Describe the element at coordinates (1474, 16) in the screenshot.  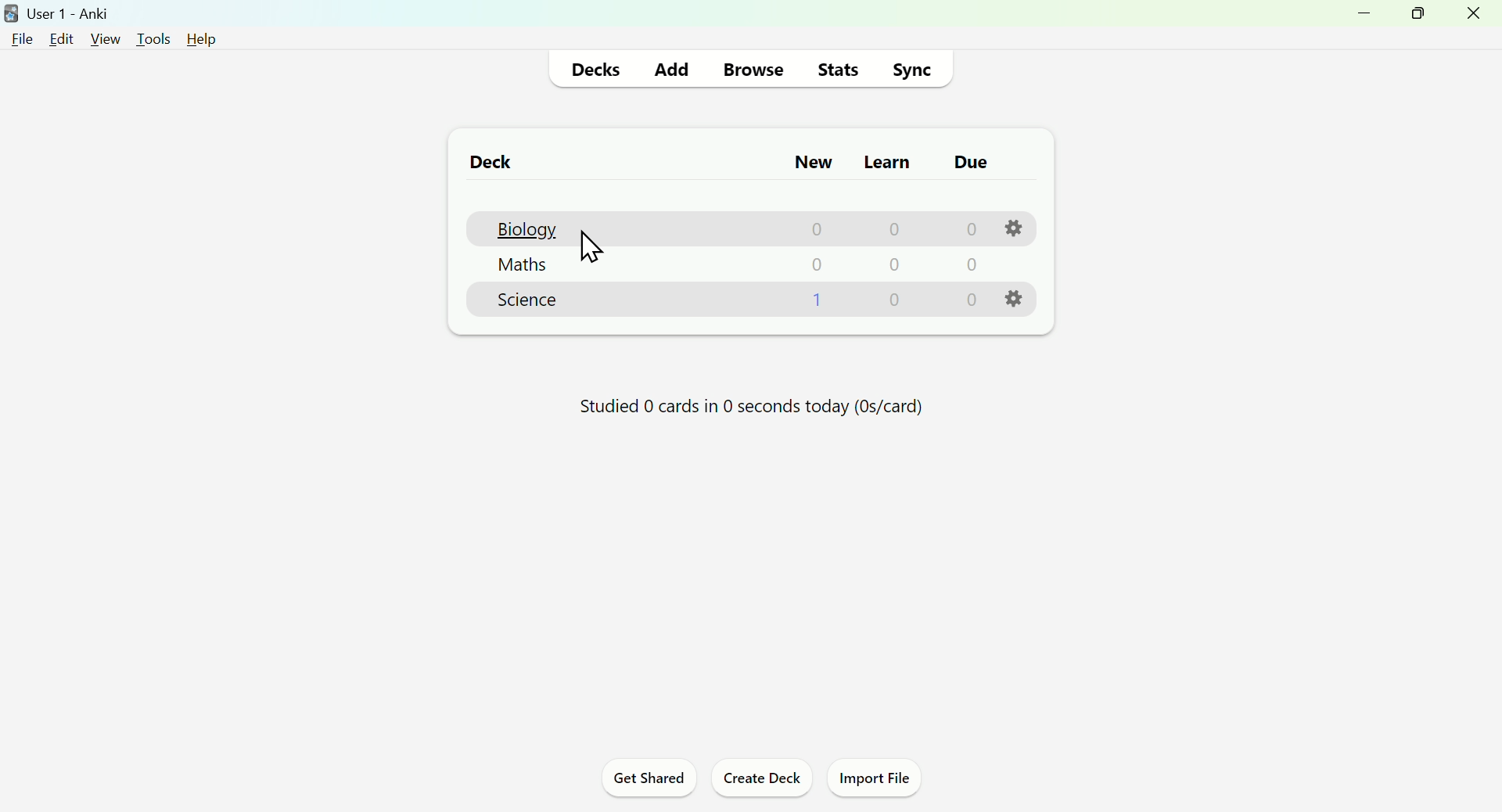
I see `close` at that location.